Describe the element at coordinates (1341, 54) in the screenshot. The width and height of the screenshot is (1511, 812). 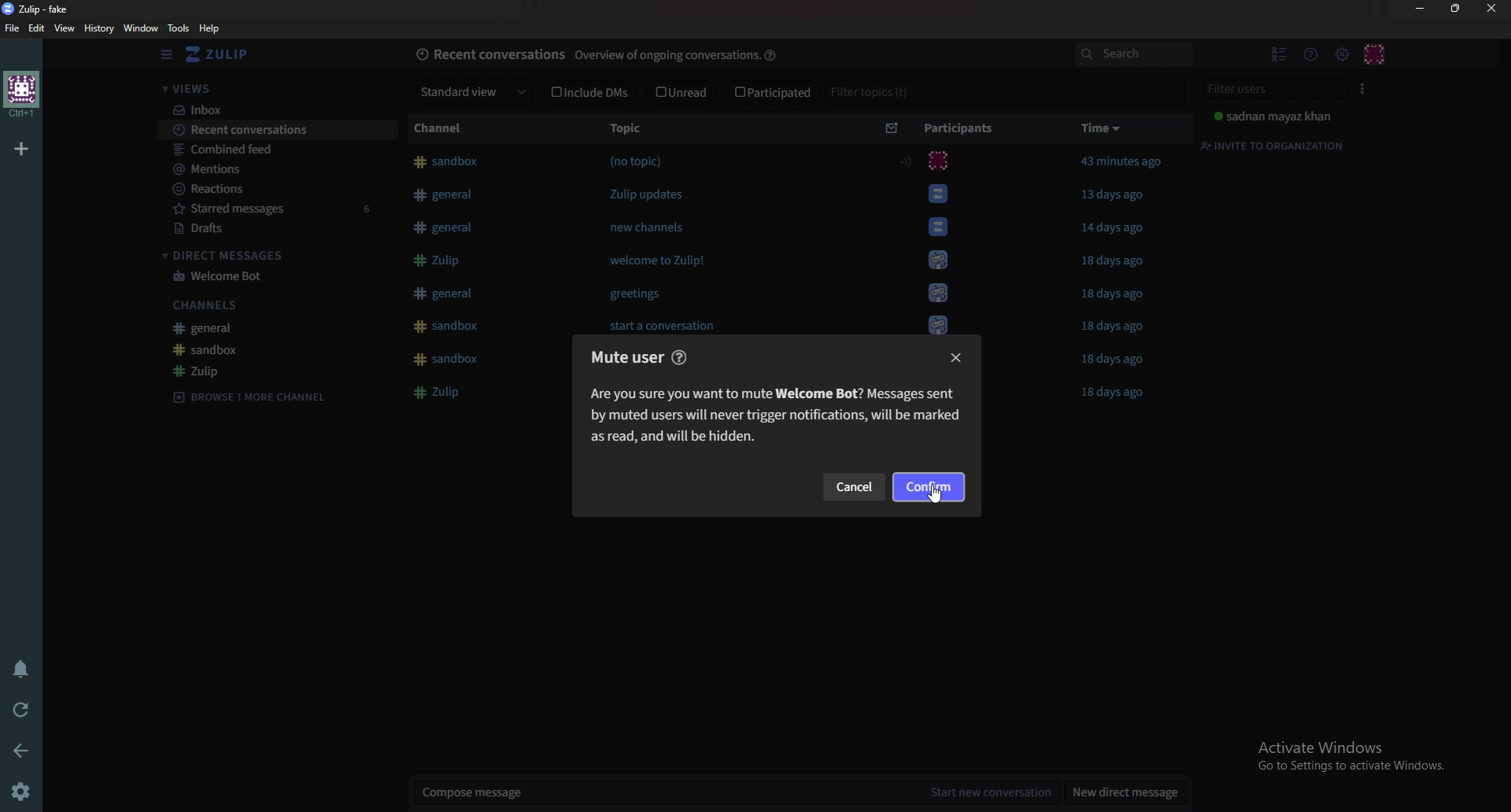
I see `Main menu` at that location.